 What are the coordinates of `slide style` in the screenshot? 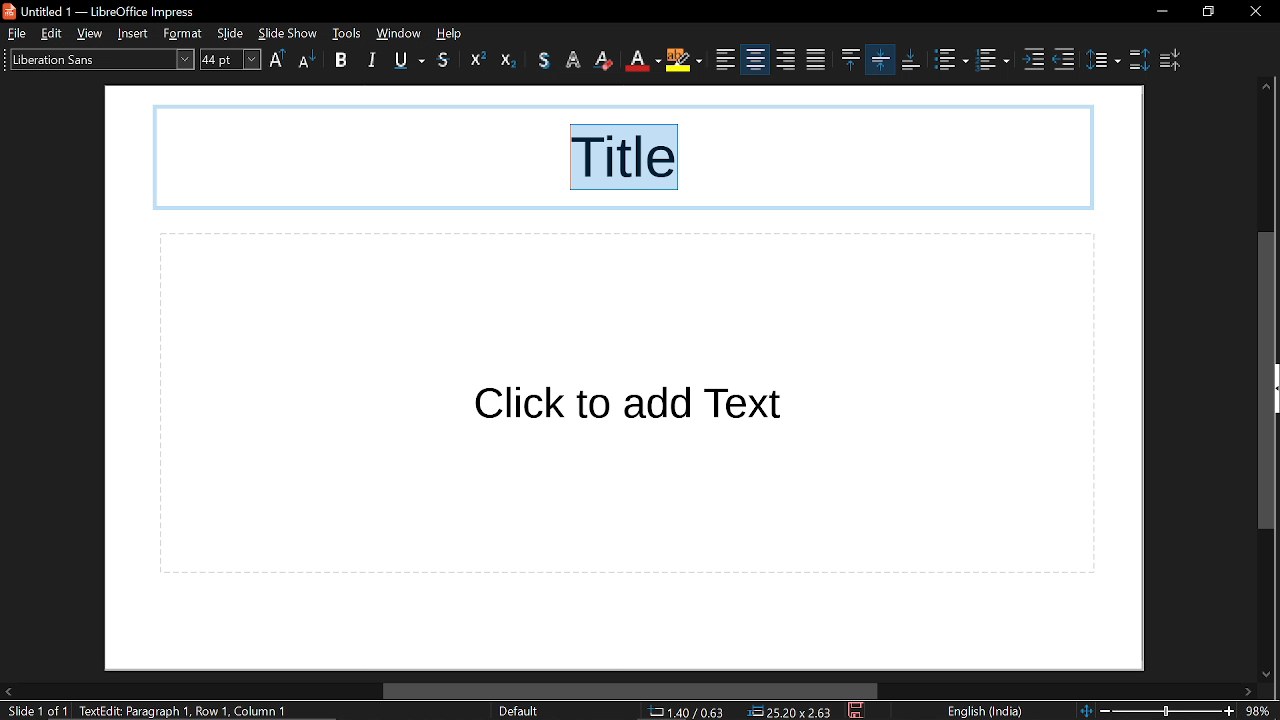 It's located at (518, 711).